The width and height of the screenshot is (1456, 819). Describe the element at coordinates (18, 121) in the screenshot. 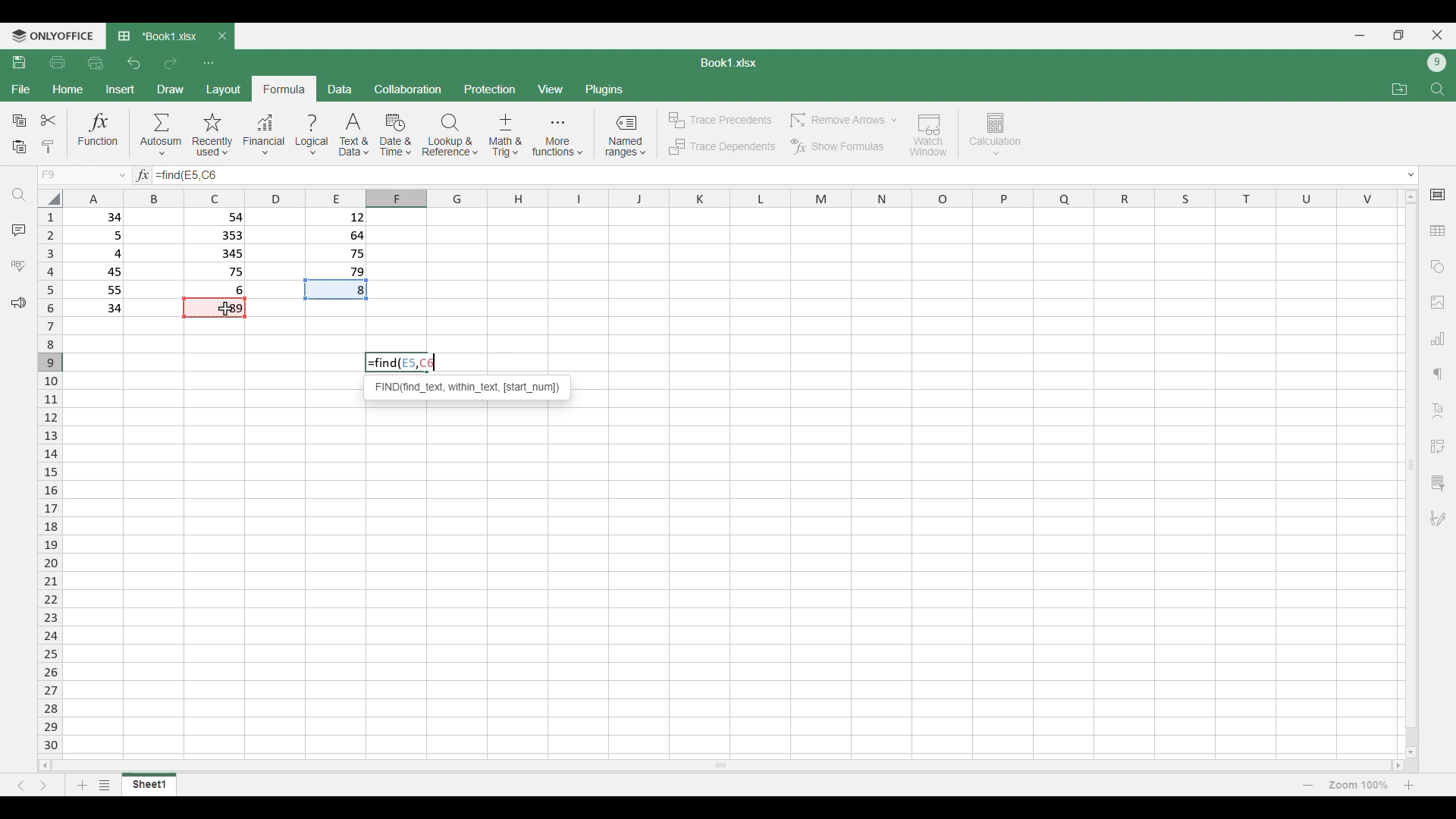

I see `Copy` at that location.